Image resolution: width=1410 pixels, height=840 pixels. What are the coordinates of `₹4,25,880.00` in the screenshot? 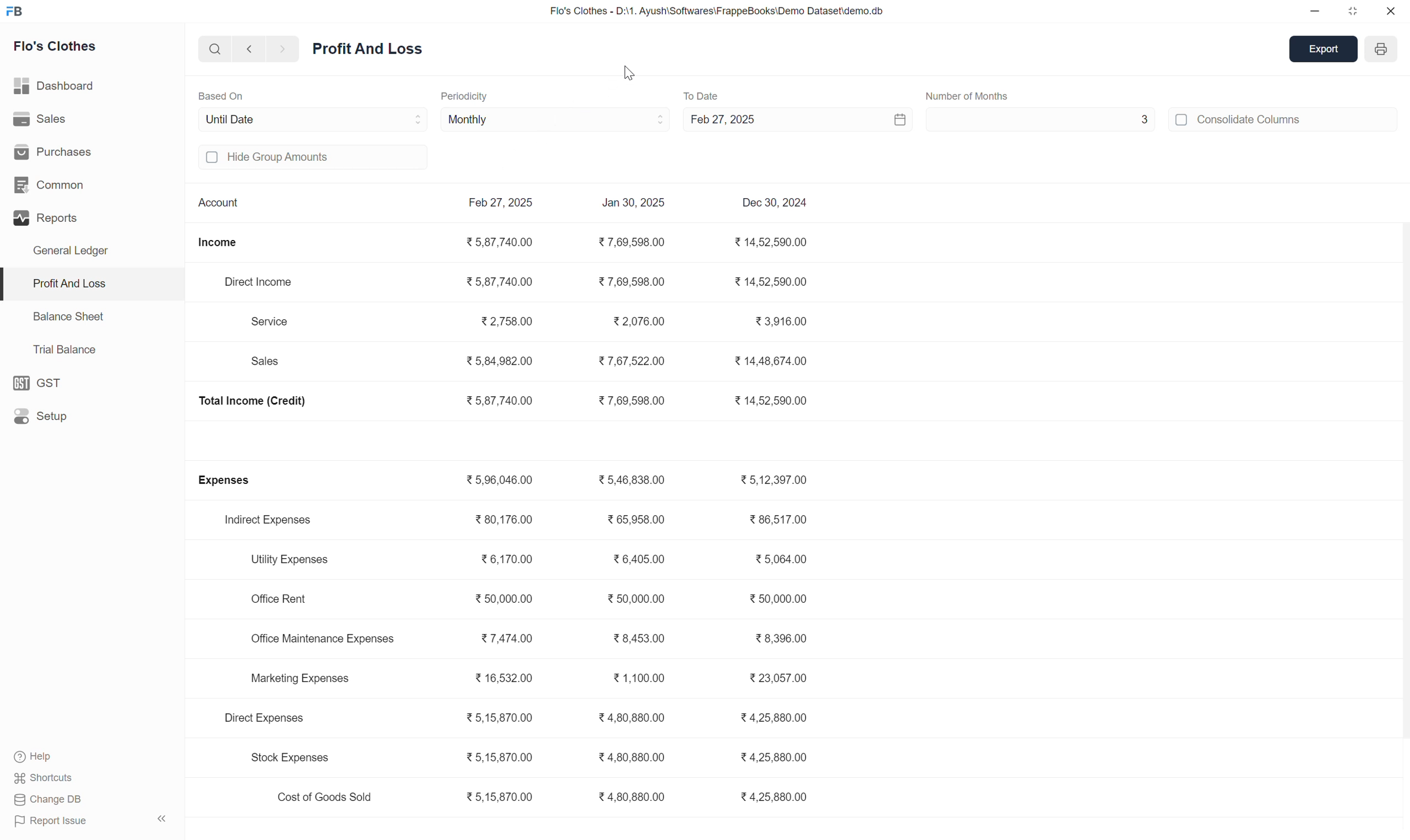 It's located at (776, 757).